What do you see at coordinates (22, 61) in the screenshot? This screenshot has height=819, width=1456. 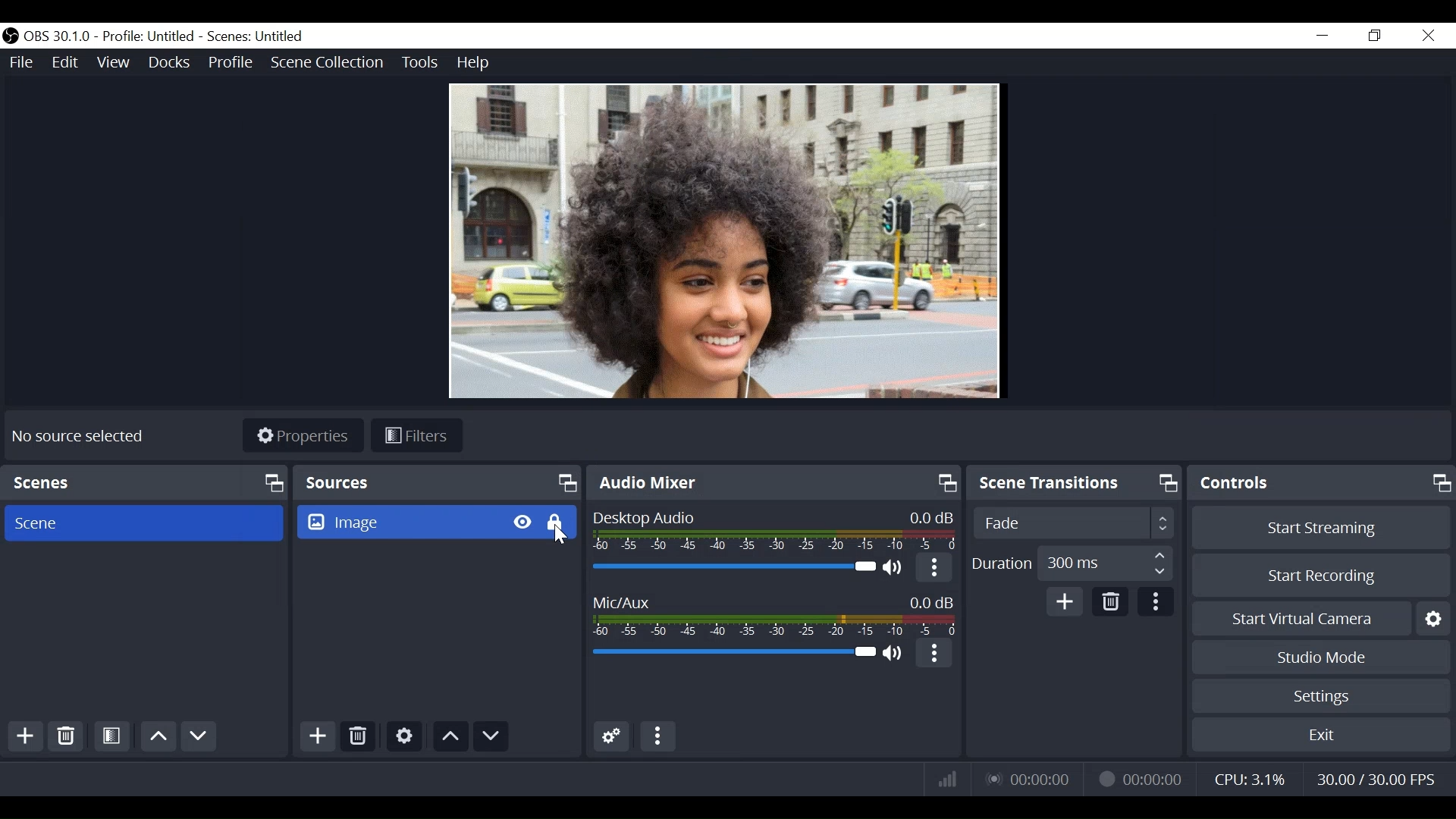 I see `File` at bounding box center [22, 61].